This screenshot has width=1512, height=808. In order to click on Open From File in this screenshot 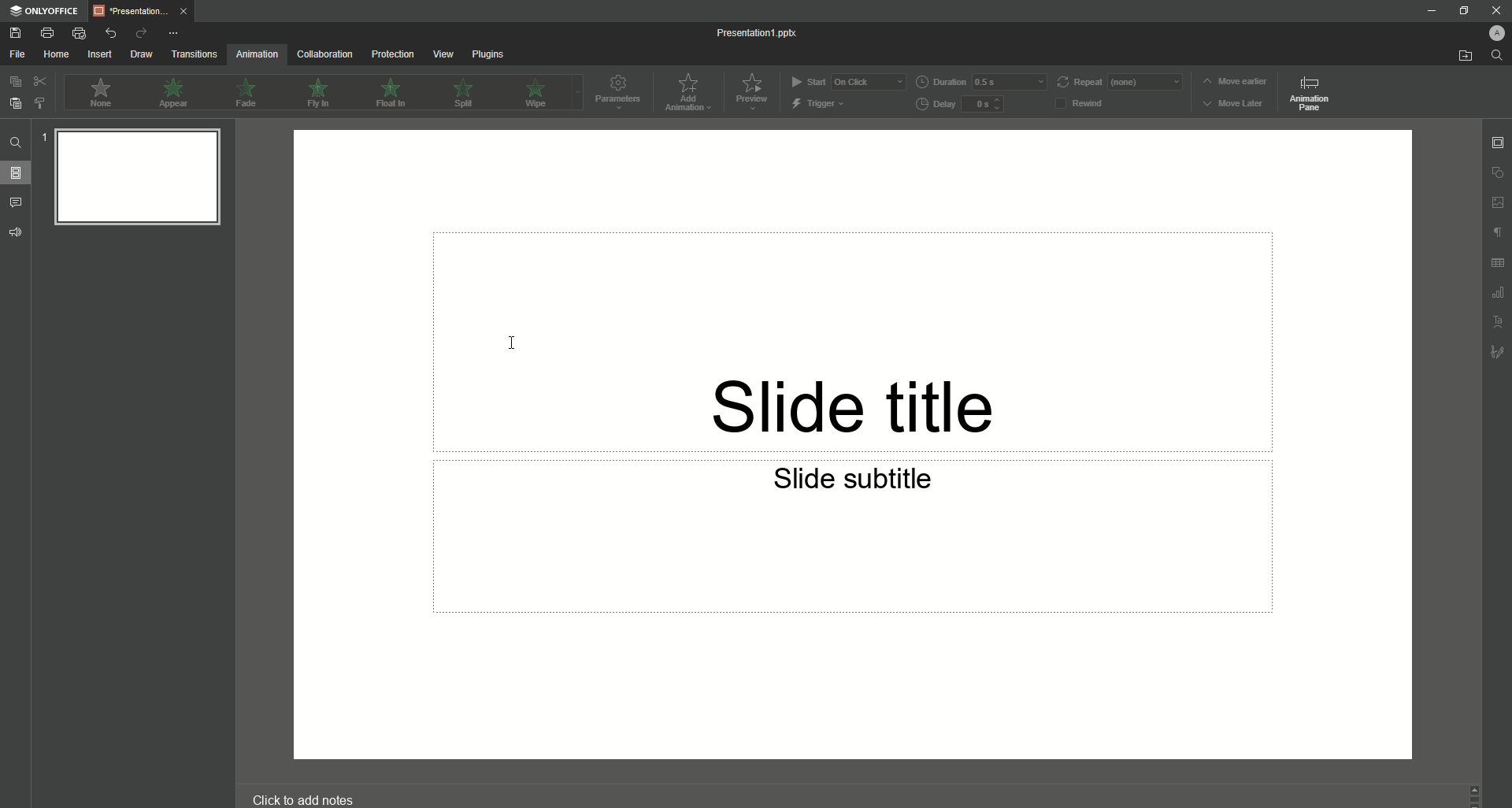, I will do `click(1457, 56)`.